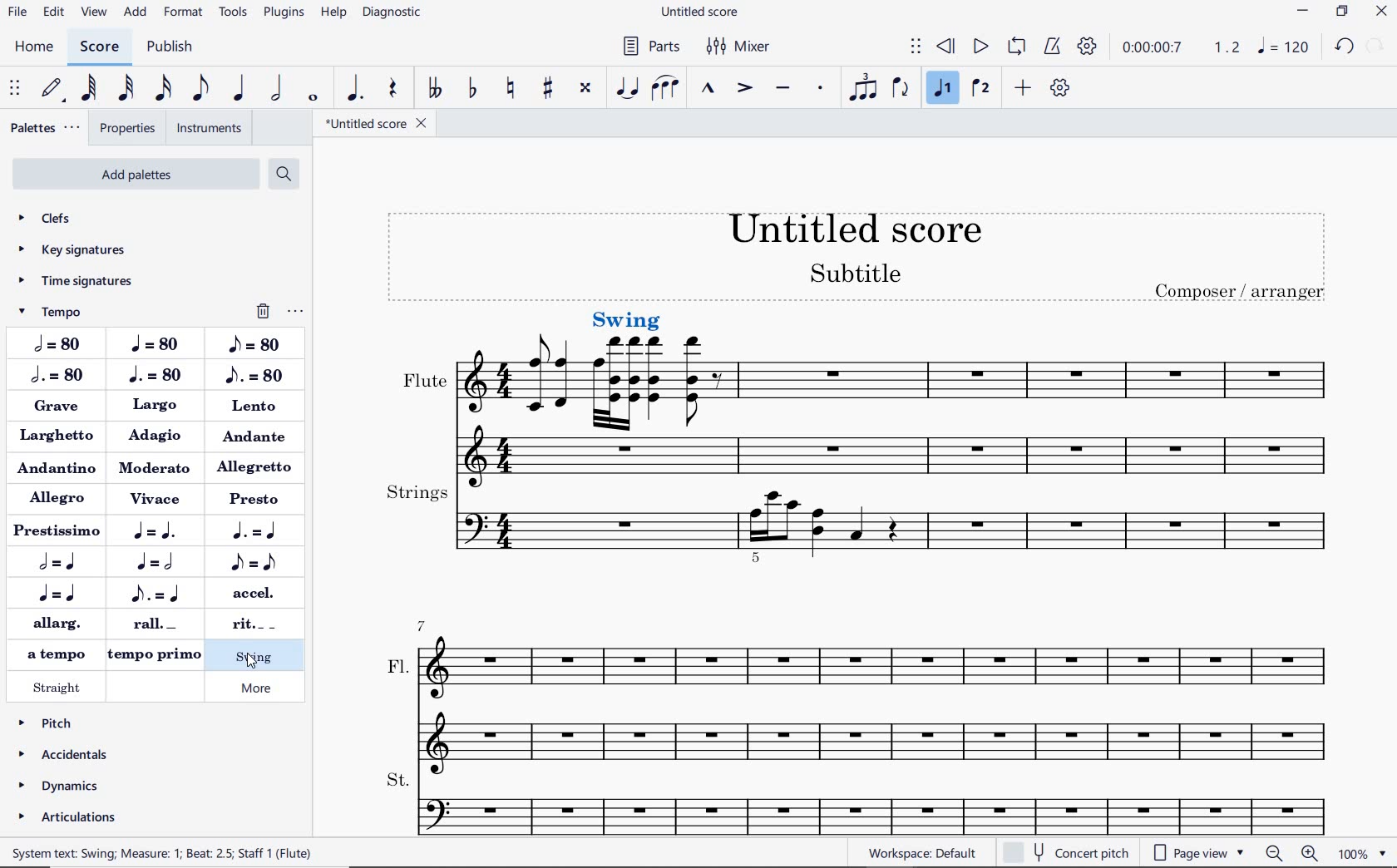 Image resolution: width=1397 pixels, height=868 pixels. I want to click on SELECTED, so click(598, 358).